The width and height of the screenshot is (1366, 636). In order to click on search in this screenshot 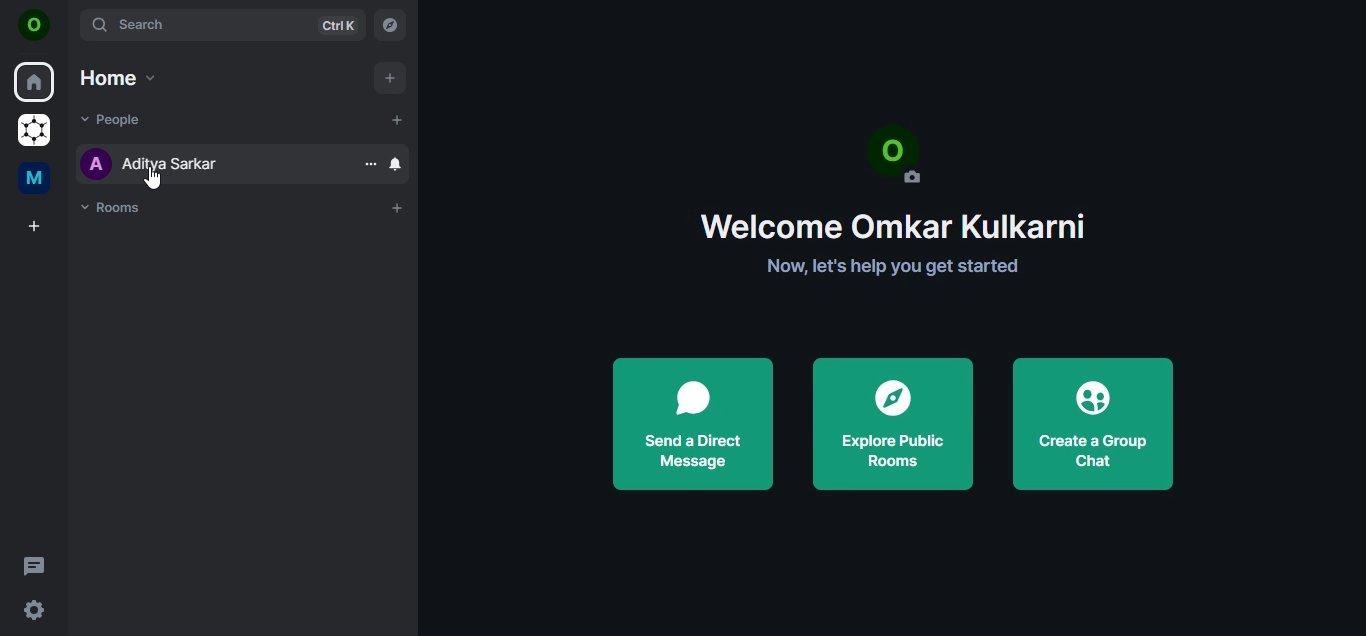, I will do `click(222, 24)`.